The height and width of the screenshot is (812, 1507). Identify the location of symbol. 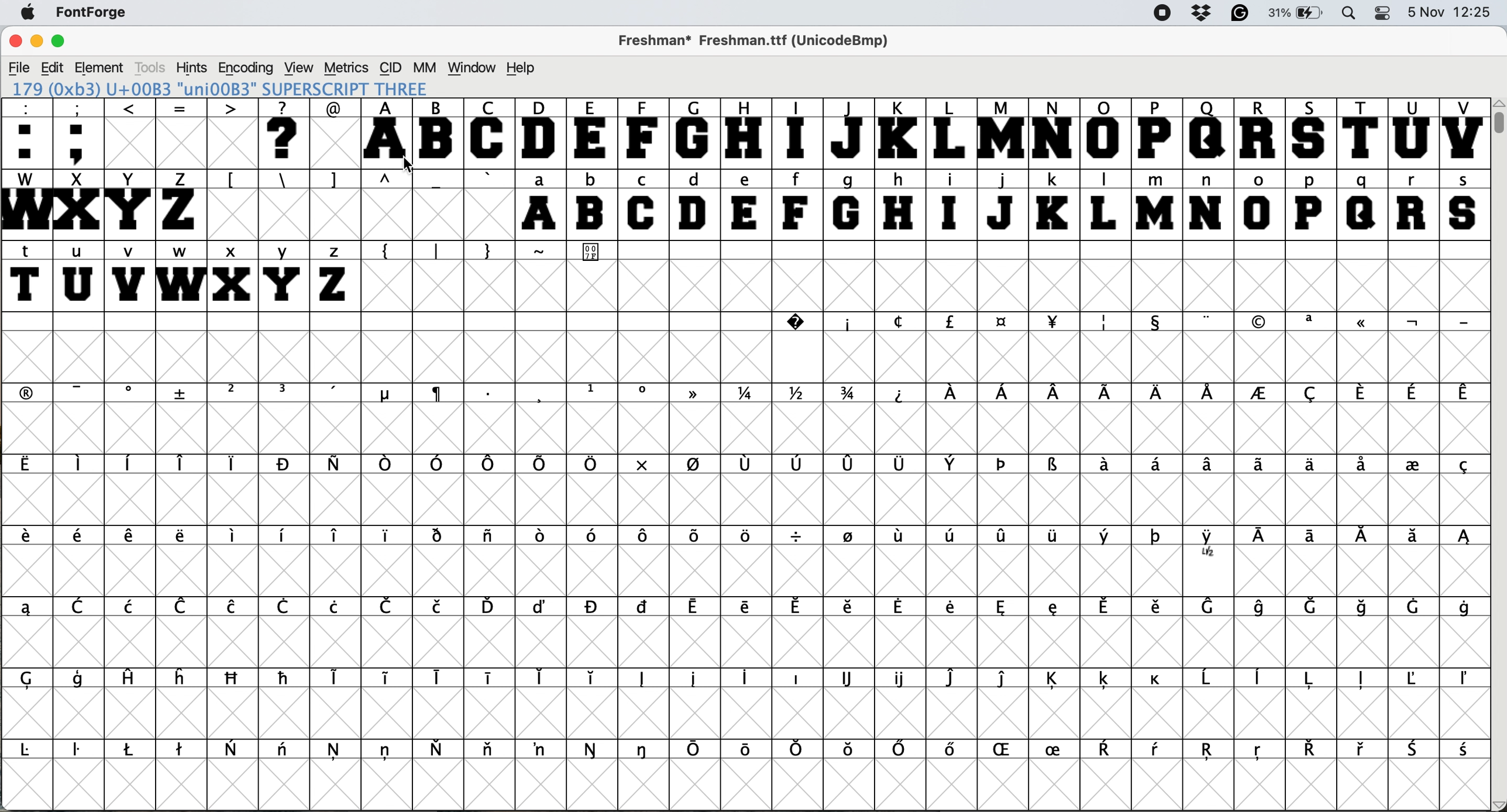
(591, 464).